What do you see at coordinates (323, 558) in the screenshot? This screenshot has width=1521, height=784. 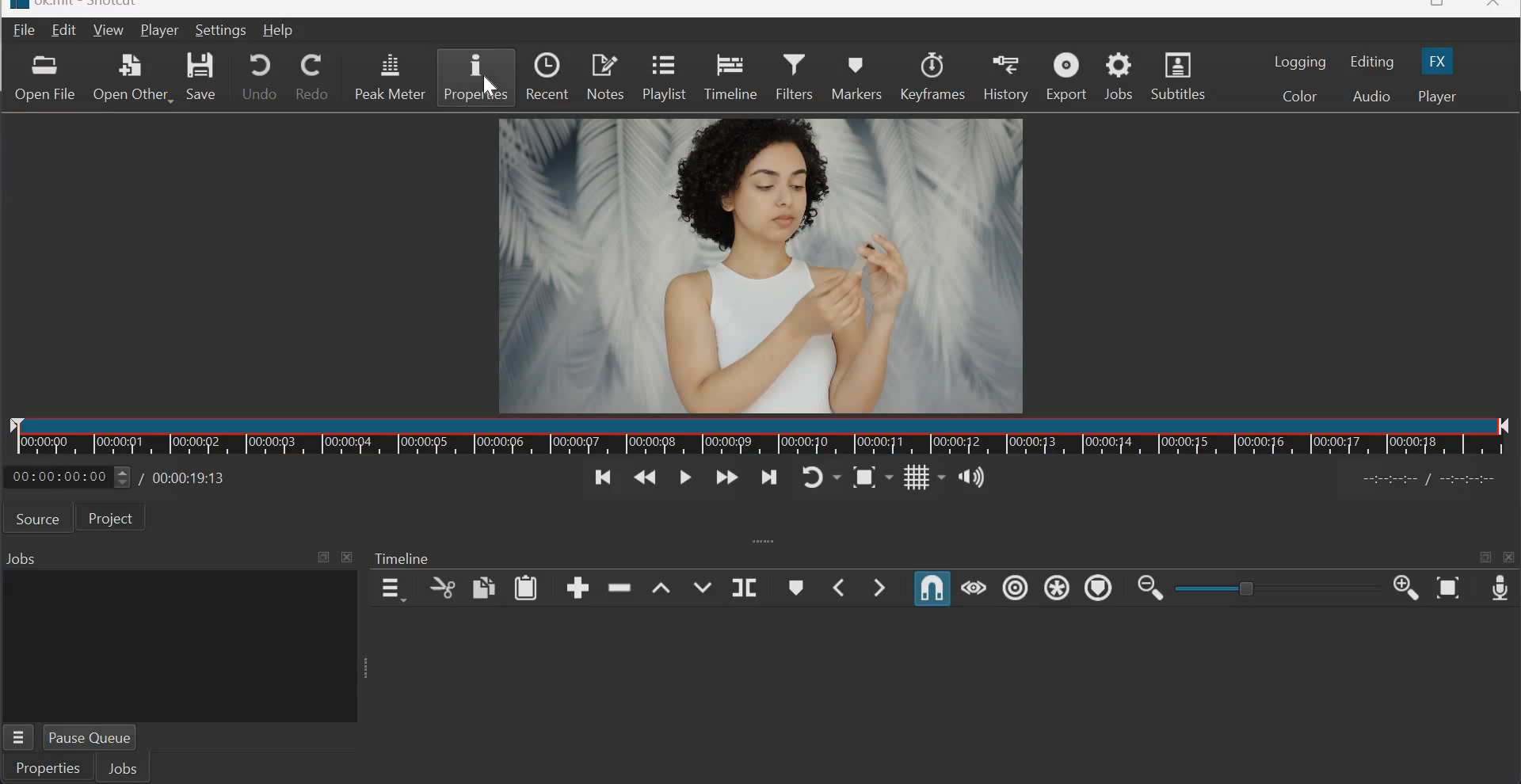 I see `Maximize` at bounding box center [323, 558].